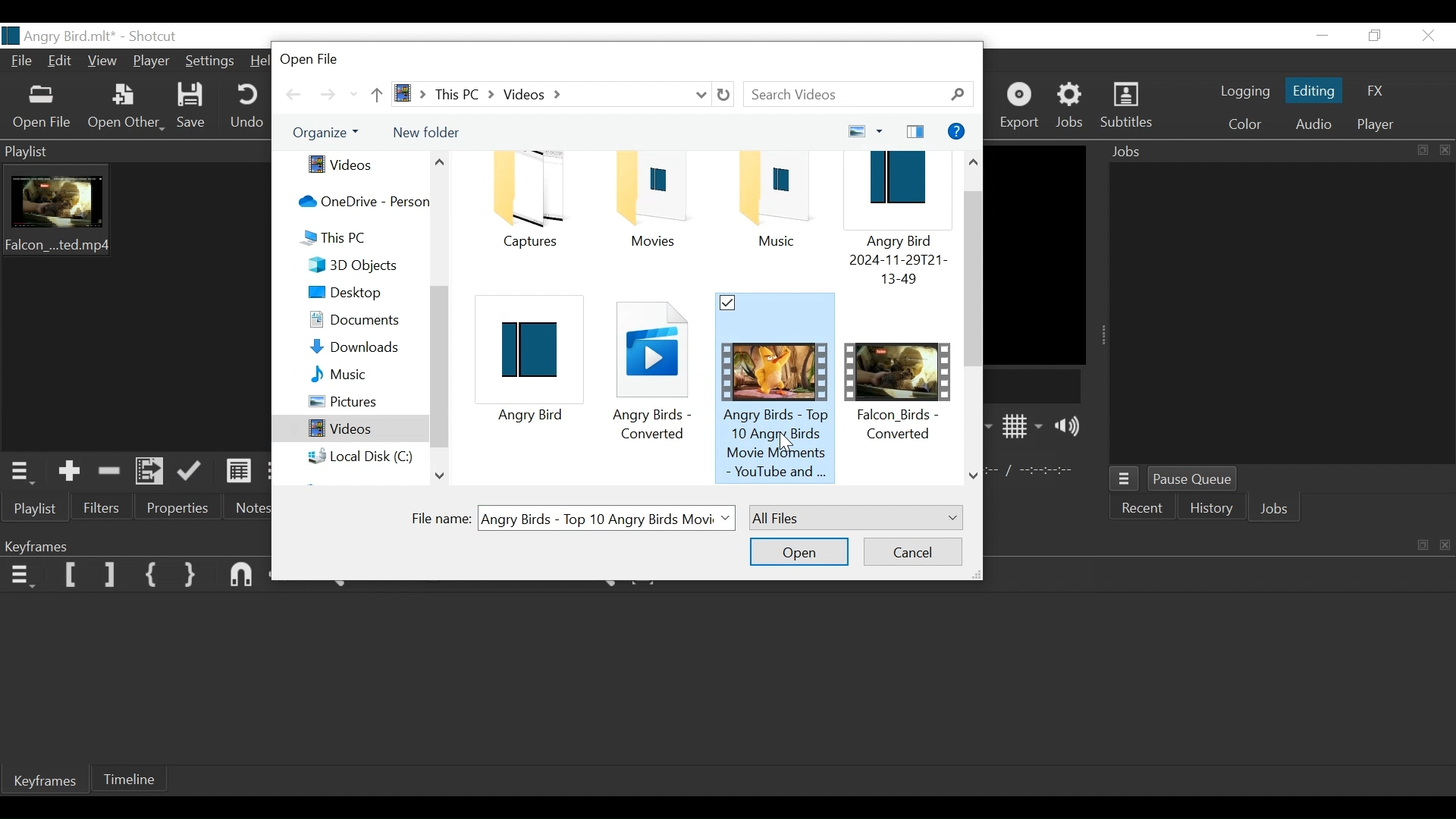  Describe the element at coordinates (298, 94) in the screenshot. I see `Go Back` at that location.